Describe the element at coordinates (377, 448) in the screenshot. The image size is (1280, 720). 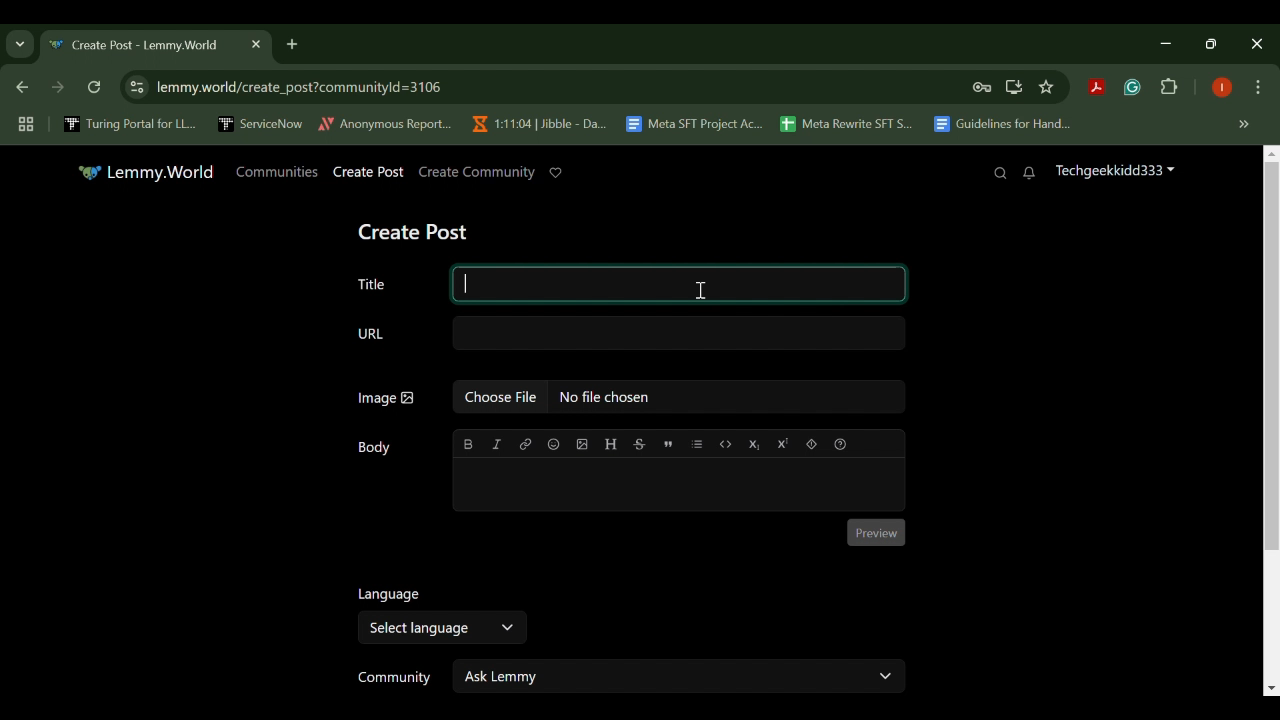
I see `Body` at that location.